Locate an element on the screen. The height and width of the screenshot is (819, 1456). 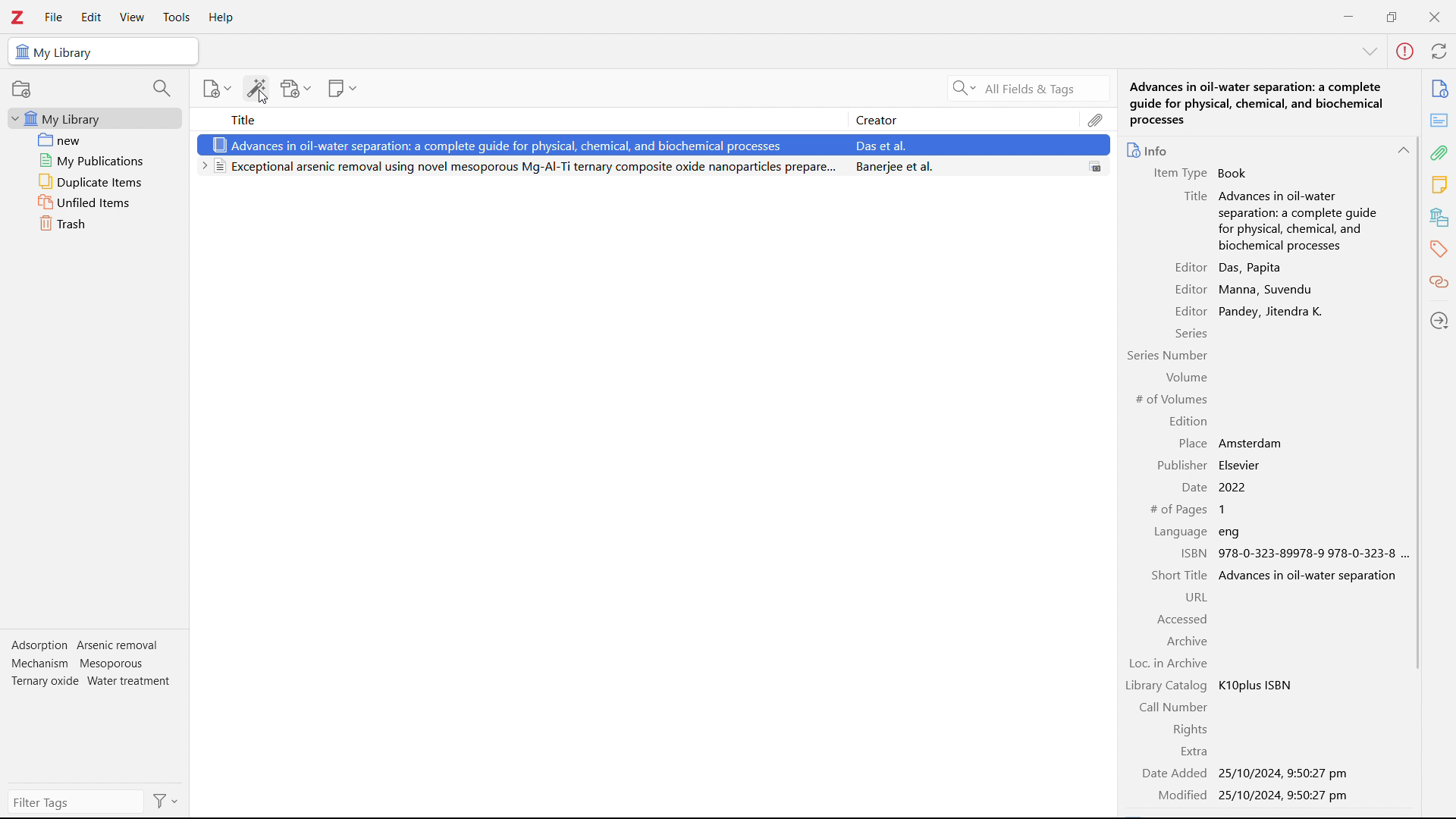
banerjee et. al is located at coordinates (959, 166).